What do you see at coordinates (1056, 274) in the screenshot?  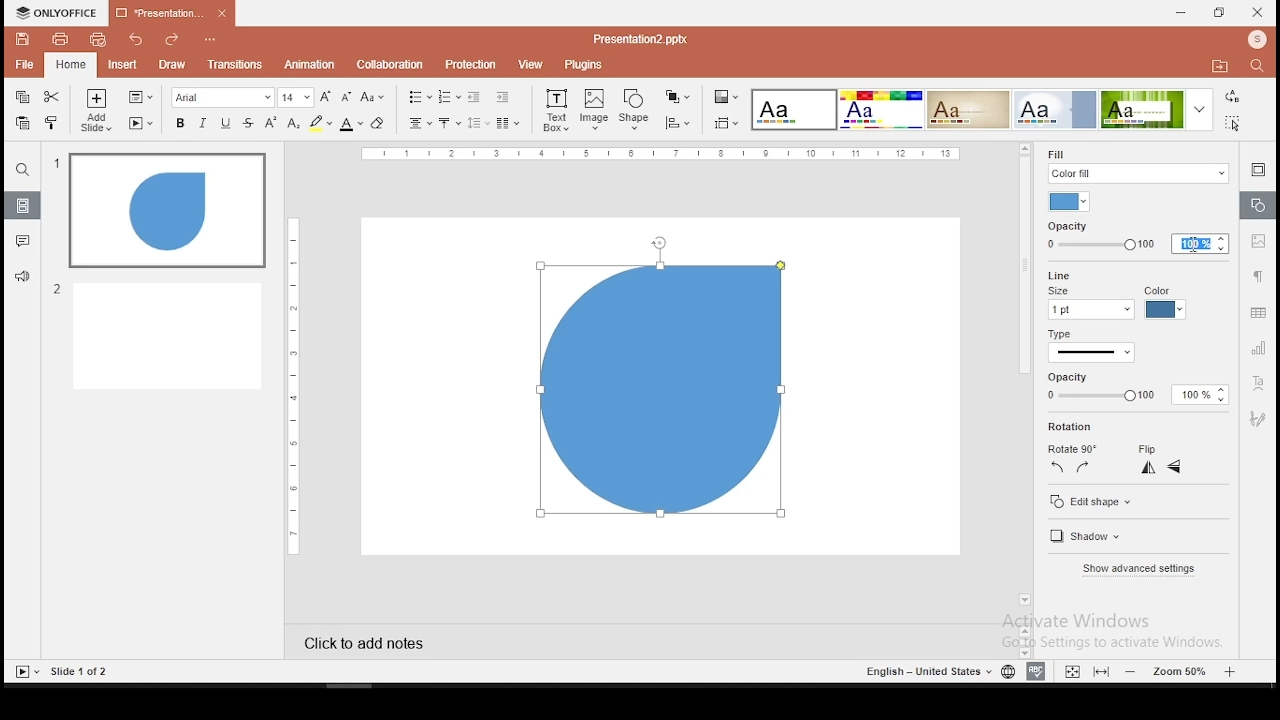 I see `line` at bounding box center [1056, 274].